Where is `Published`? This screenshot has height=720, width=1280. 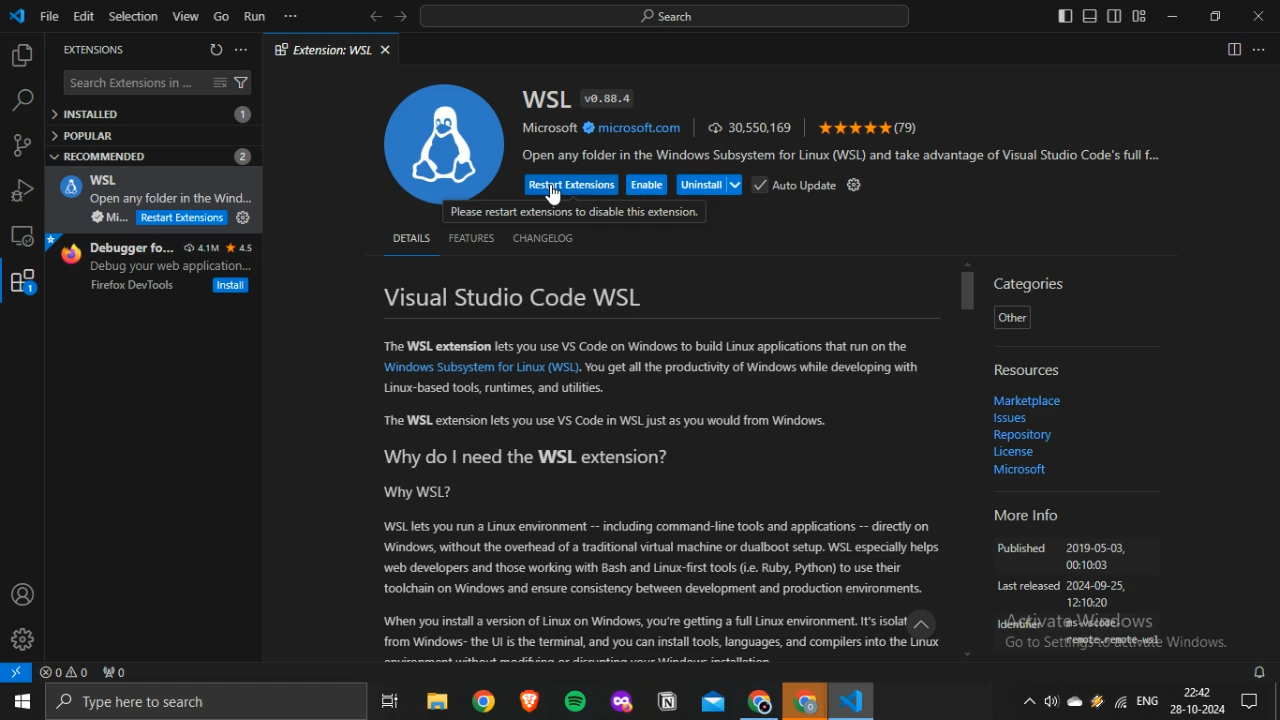 Published is located at coordinates (1022, 550).